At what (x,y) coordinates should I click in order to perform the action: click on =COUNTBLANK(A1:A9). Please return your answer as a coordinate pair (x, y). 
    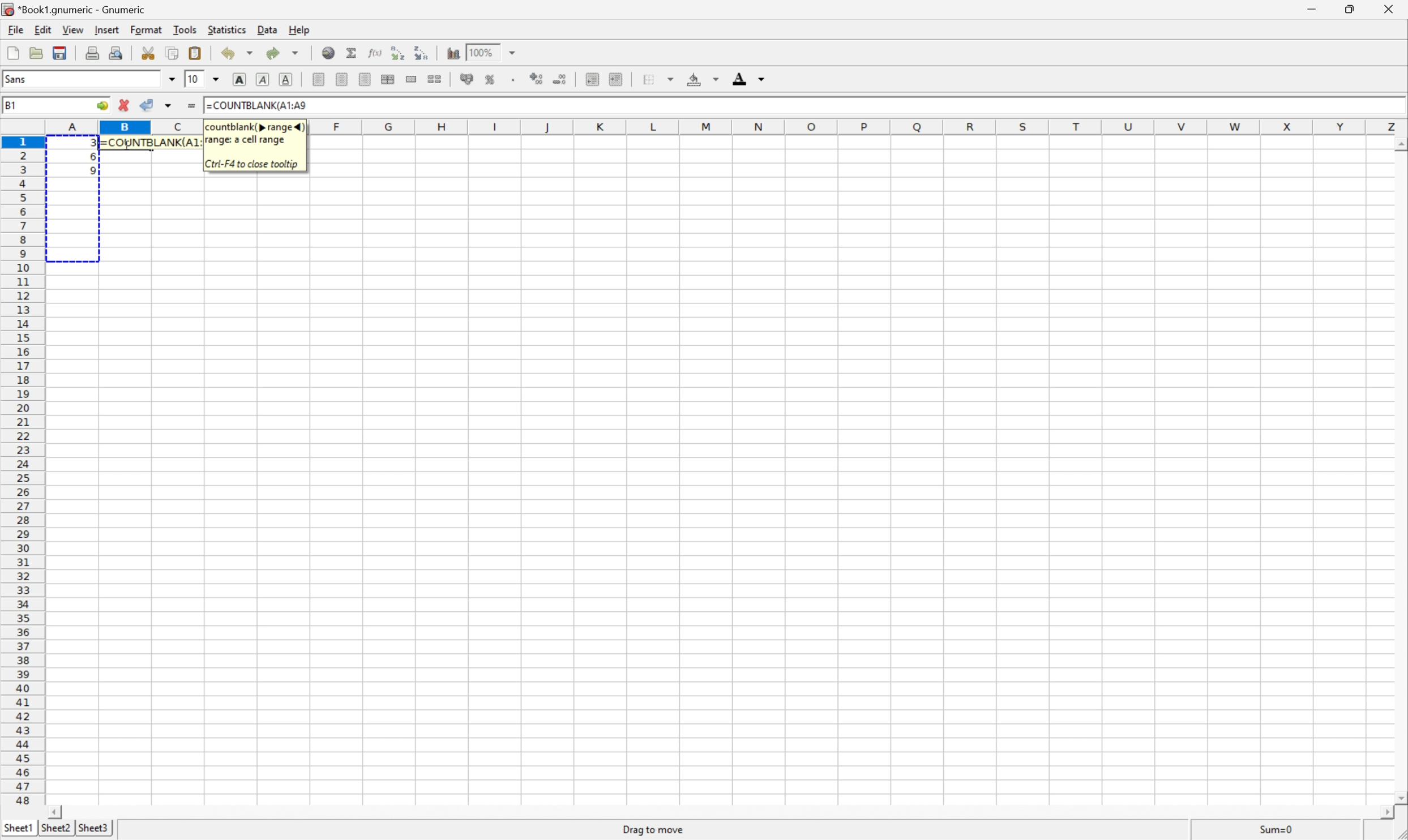
    Looking at the image, I should click on (258, 104).